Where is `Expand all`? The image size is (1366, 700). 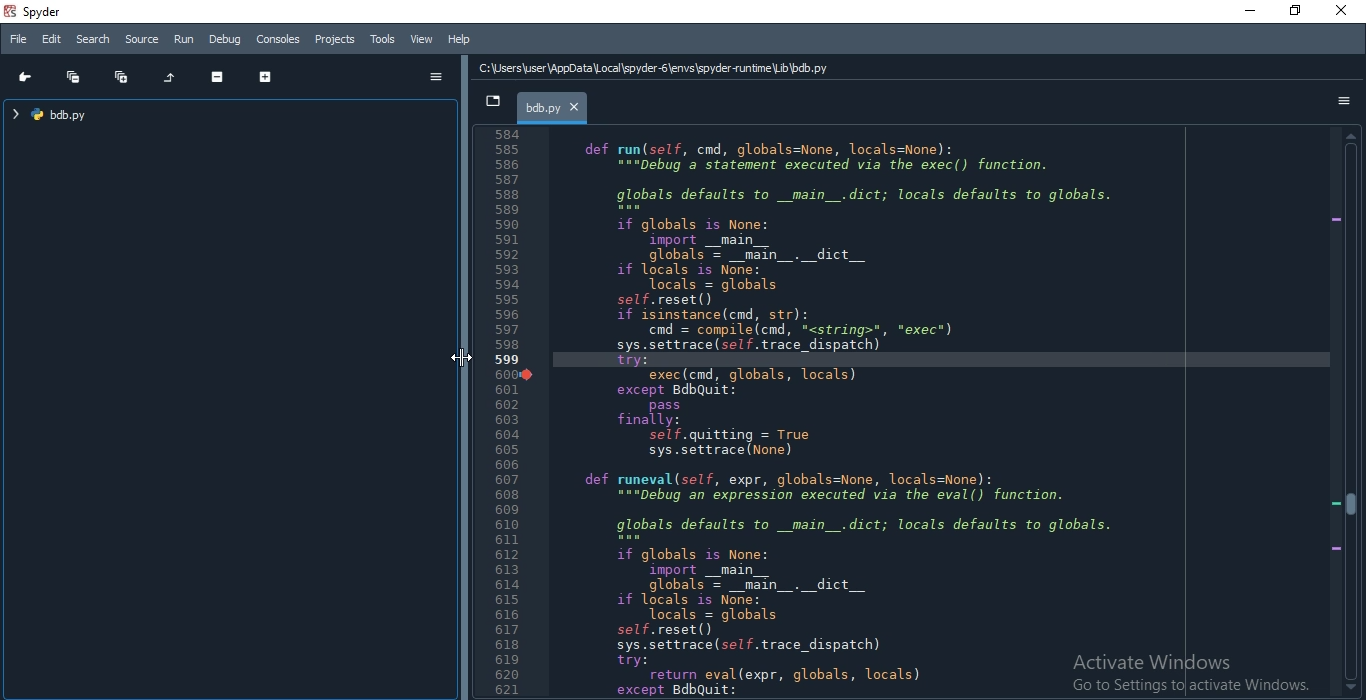
Expand all is located at coordinates (122, 76).